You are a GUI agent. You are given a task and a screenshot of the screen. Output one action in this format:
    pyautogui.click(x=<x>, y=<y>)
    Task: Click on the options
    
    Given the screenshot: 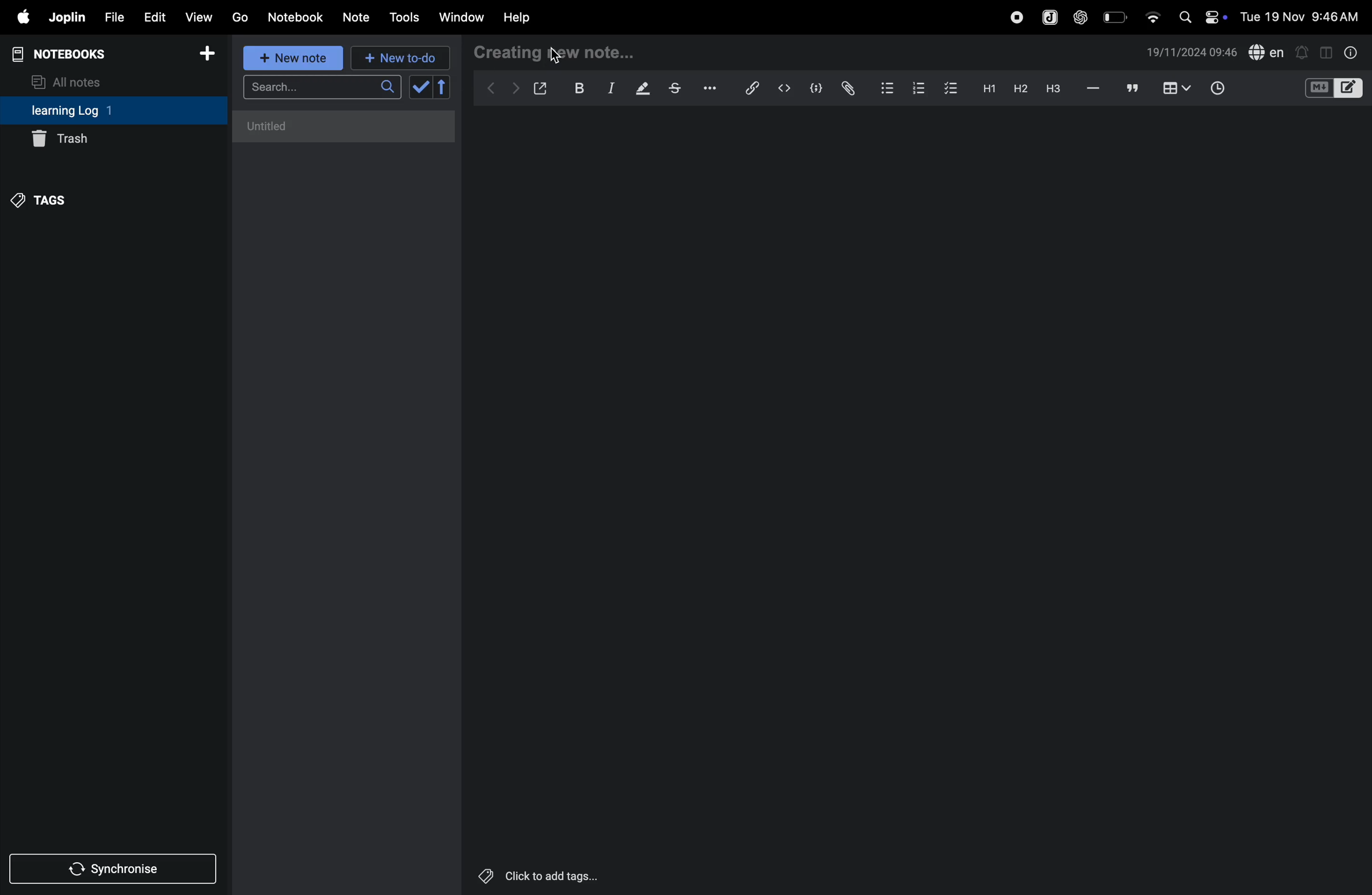 What is the action you would take?
    pyautogui.click(x=707, y=87)
    